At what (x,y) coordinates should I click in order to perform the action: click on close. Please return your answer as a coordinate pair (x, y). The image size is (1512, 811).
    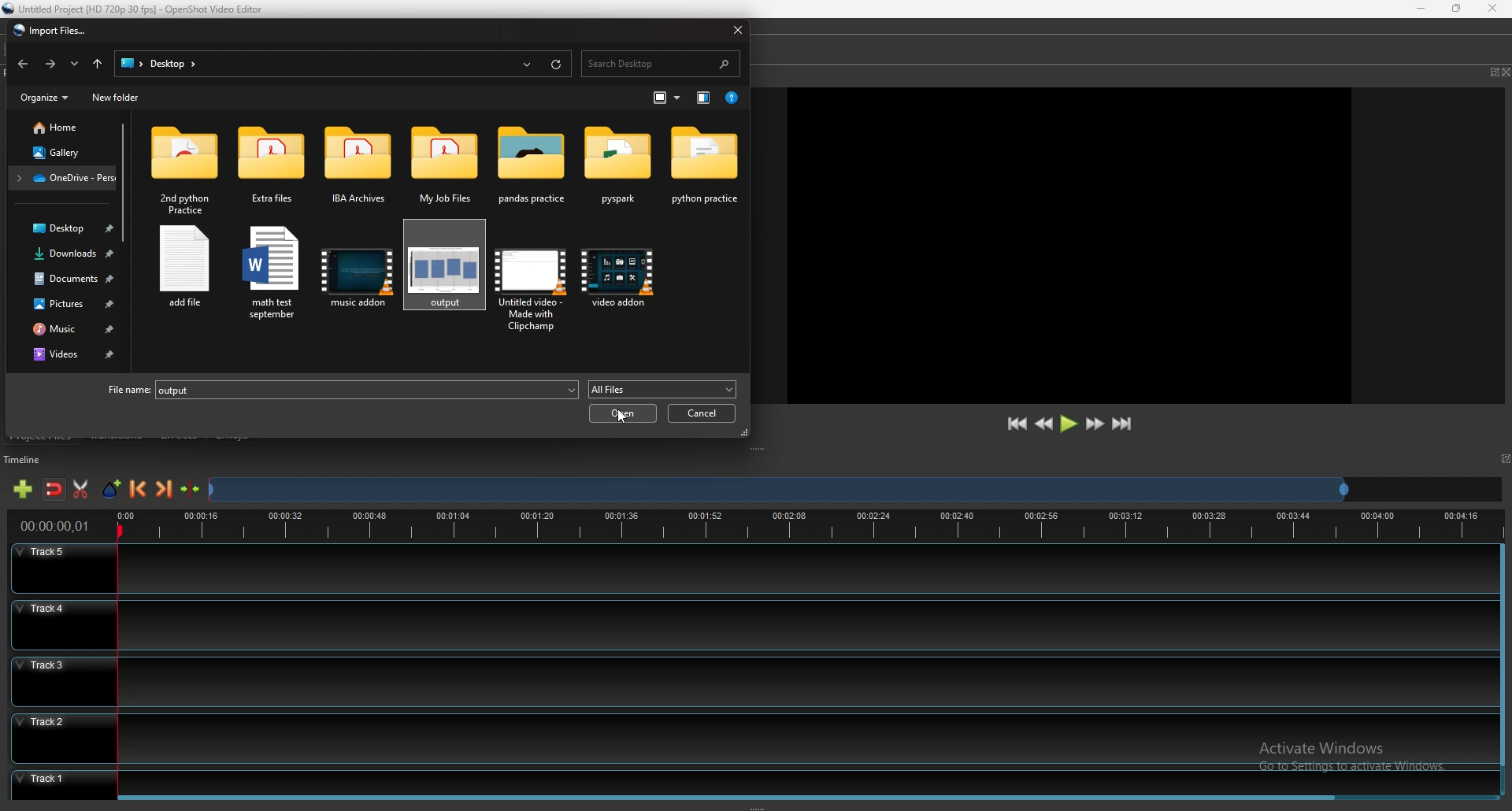
    Looking at the image, I should click on (1490, 8).